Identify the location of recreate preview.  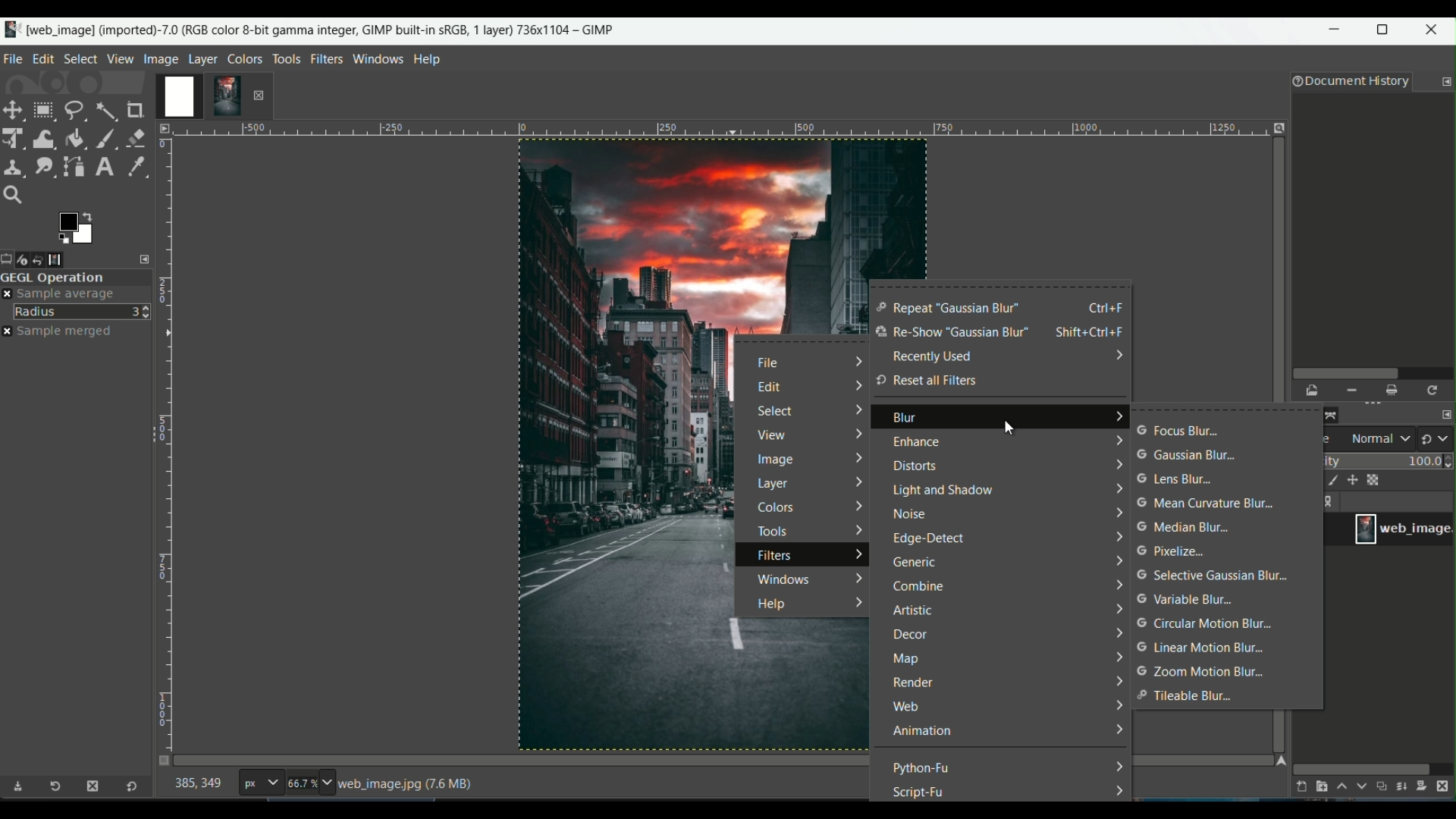
(1434, 390).